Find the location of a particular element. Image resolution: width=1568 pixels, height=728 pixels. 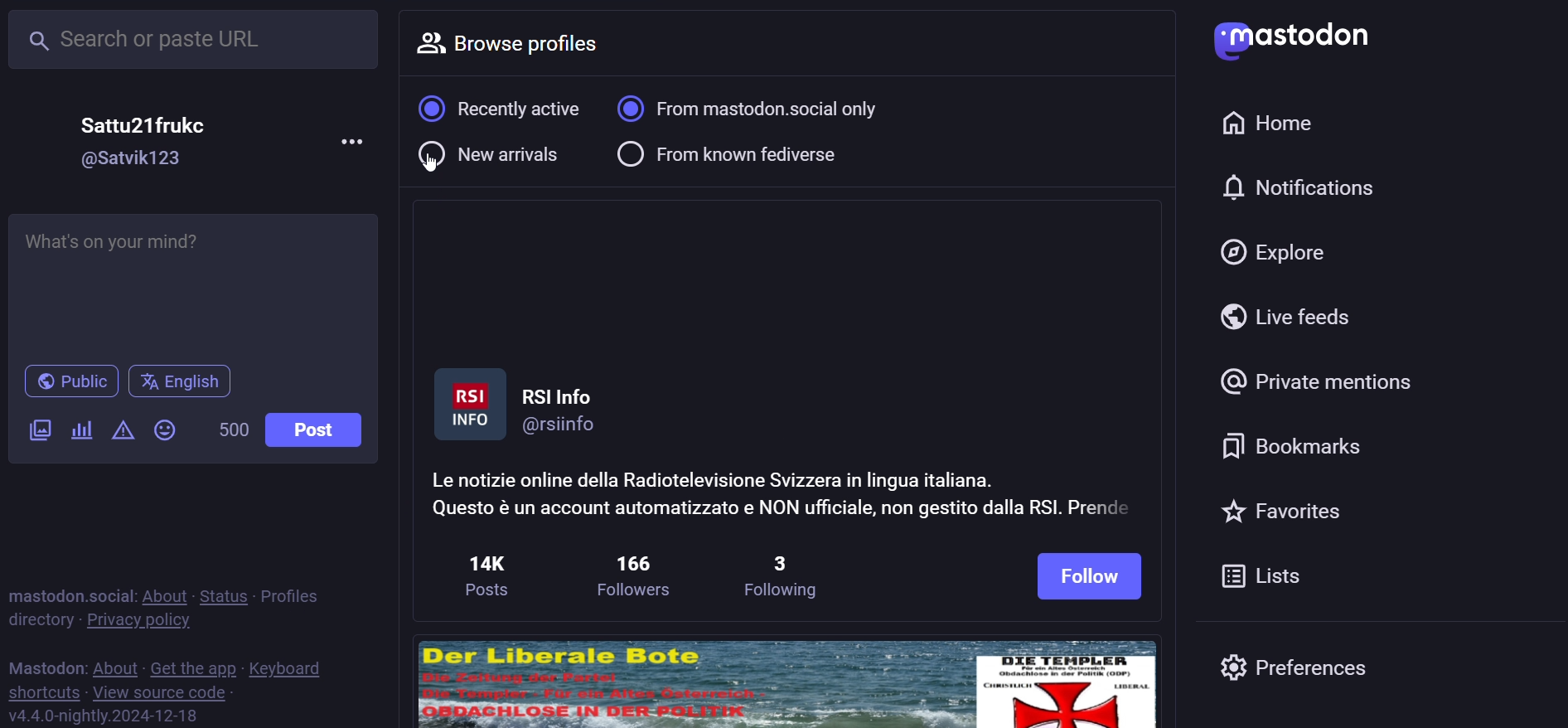

3 following is located at coordinates (779, 575).